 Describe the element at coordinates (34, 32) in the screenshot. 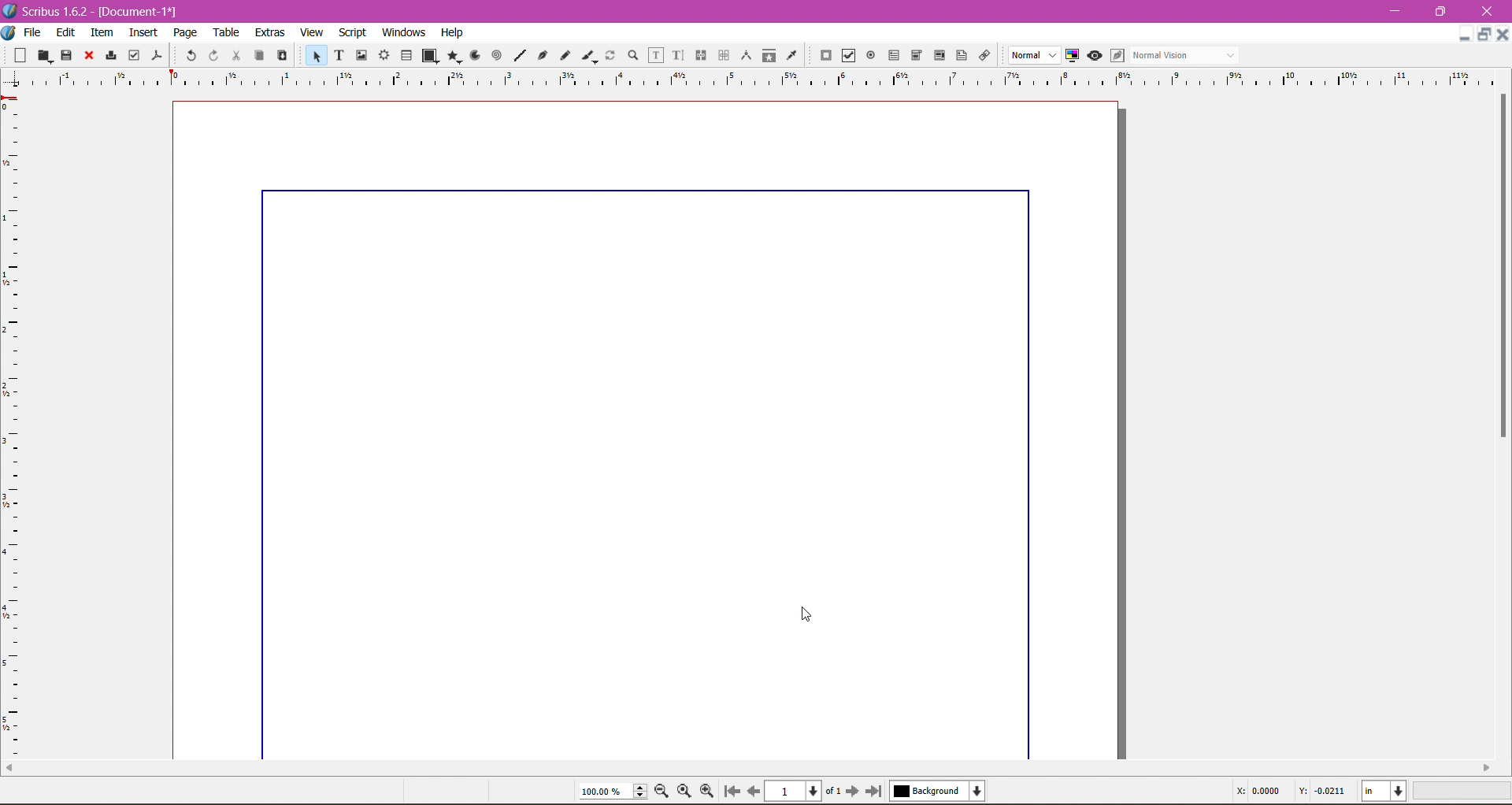

I see `File` at that location.